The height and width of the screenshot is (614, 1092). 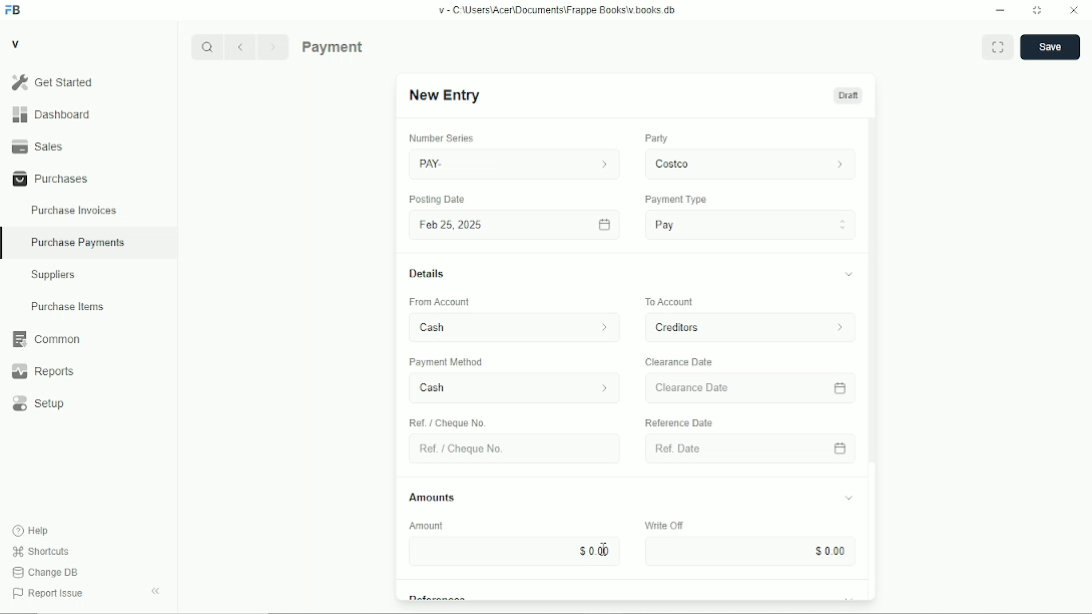 I want to click on Clearance Date, so click(x=736, y=388).